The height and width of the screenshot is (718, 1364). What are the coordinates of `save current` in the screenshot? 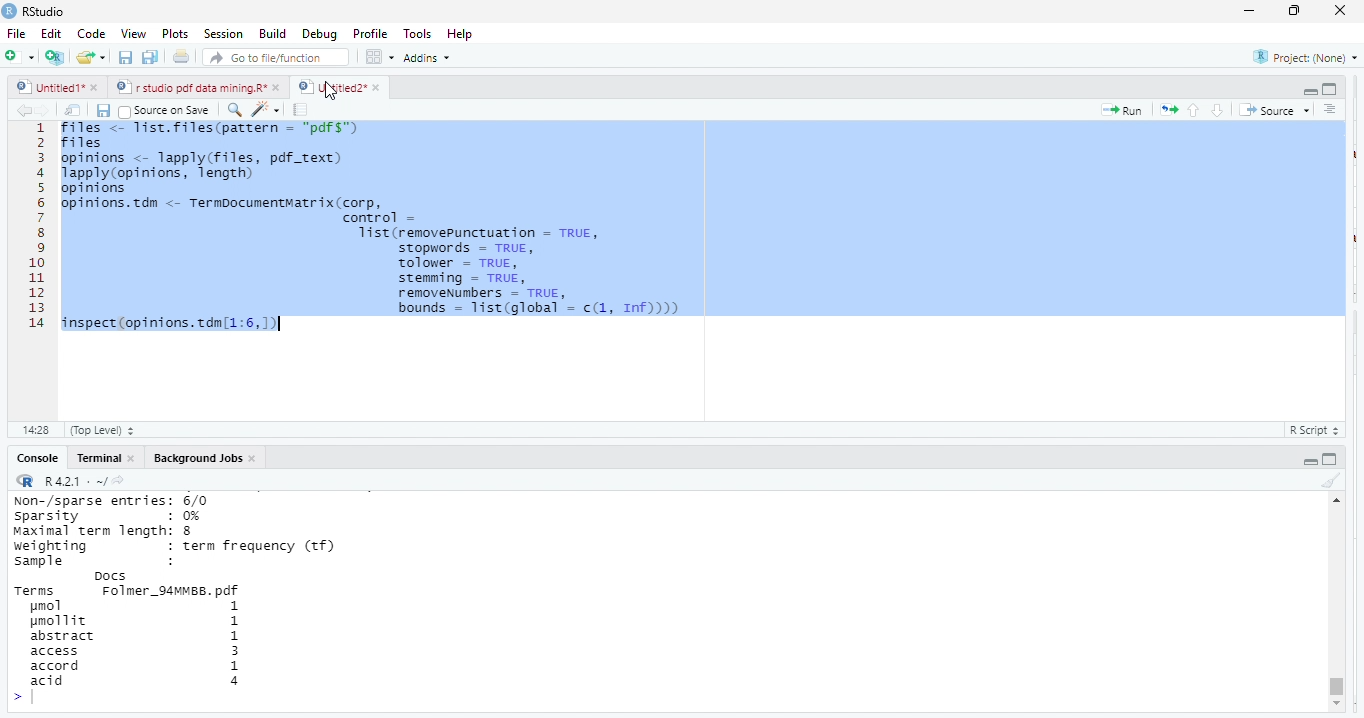 It's located at (104, 109).